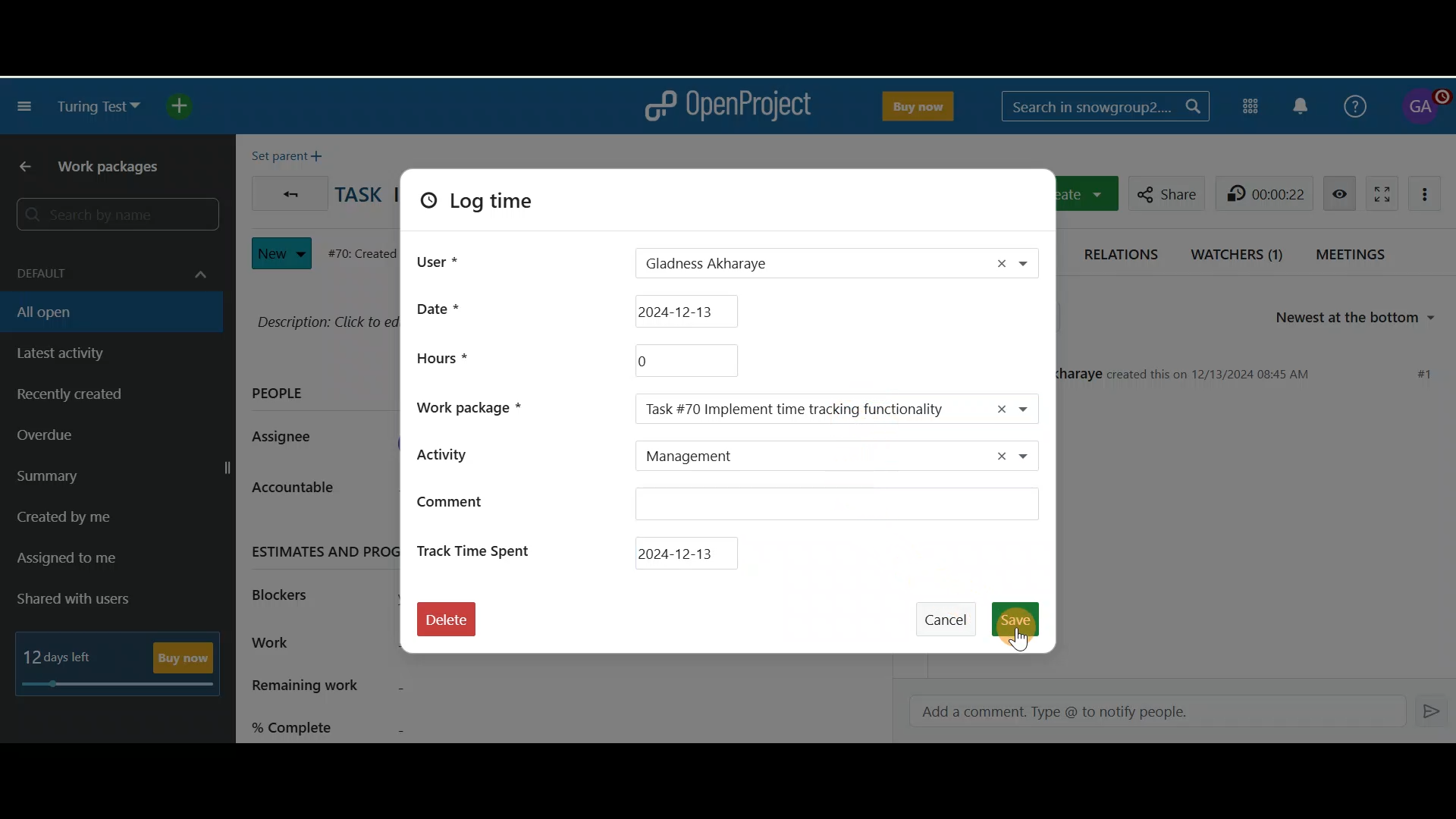 The height and width of the screenshot is (819, 1456). Describe the element at coordinates (1423, 107) in the screenshot. I see `Account name` at that location.